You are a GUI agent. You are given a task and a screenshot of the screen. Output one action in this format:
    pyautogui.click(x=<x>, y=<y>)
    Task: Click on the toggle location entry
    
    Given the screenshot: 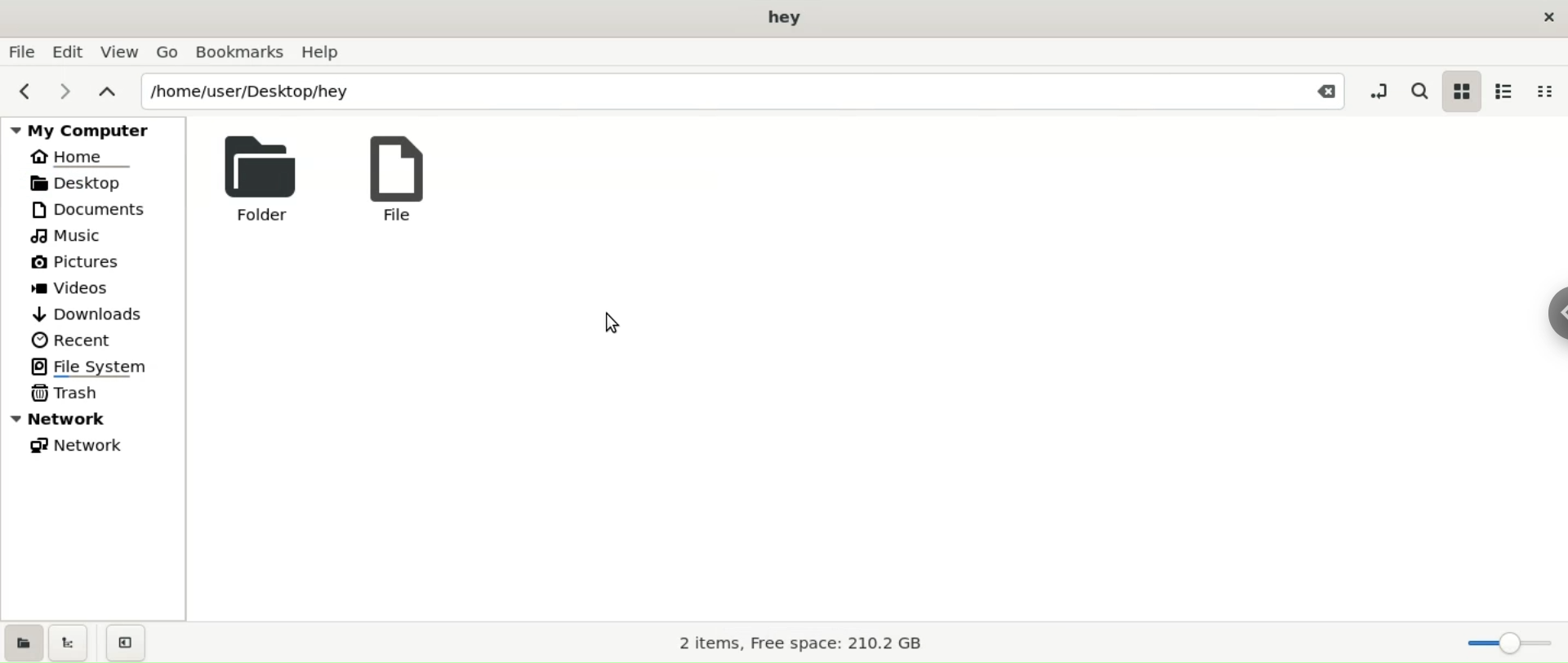 What is the action you would take?
    pyautogui.click(x=1378, y=91)
    